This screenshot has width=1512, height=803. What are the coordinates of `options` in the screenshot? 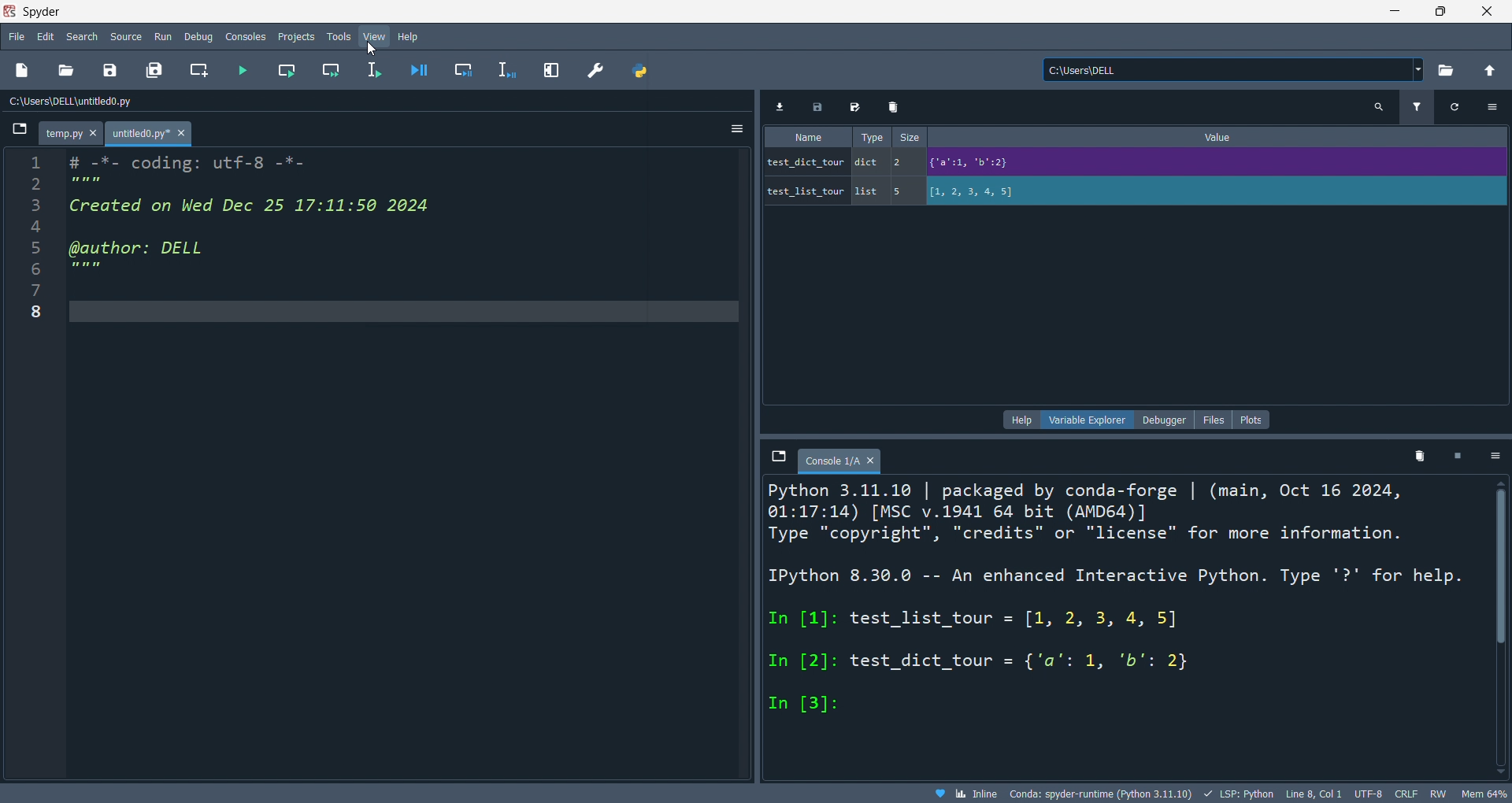 It's located at (1496, 457).